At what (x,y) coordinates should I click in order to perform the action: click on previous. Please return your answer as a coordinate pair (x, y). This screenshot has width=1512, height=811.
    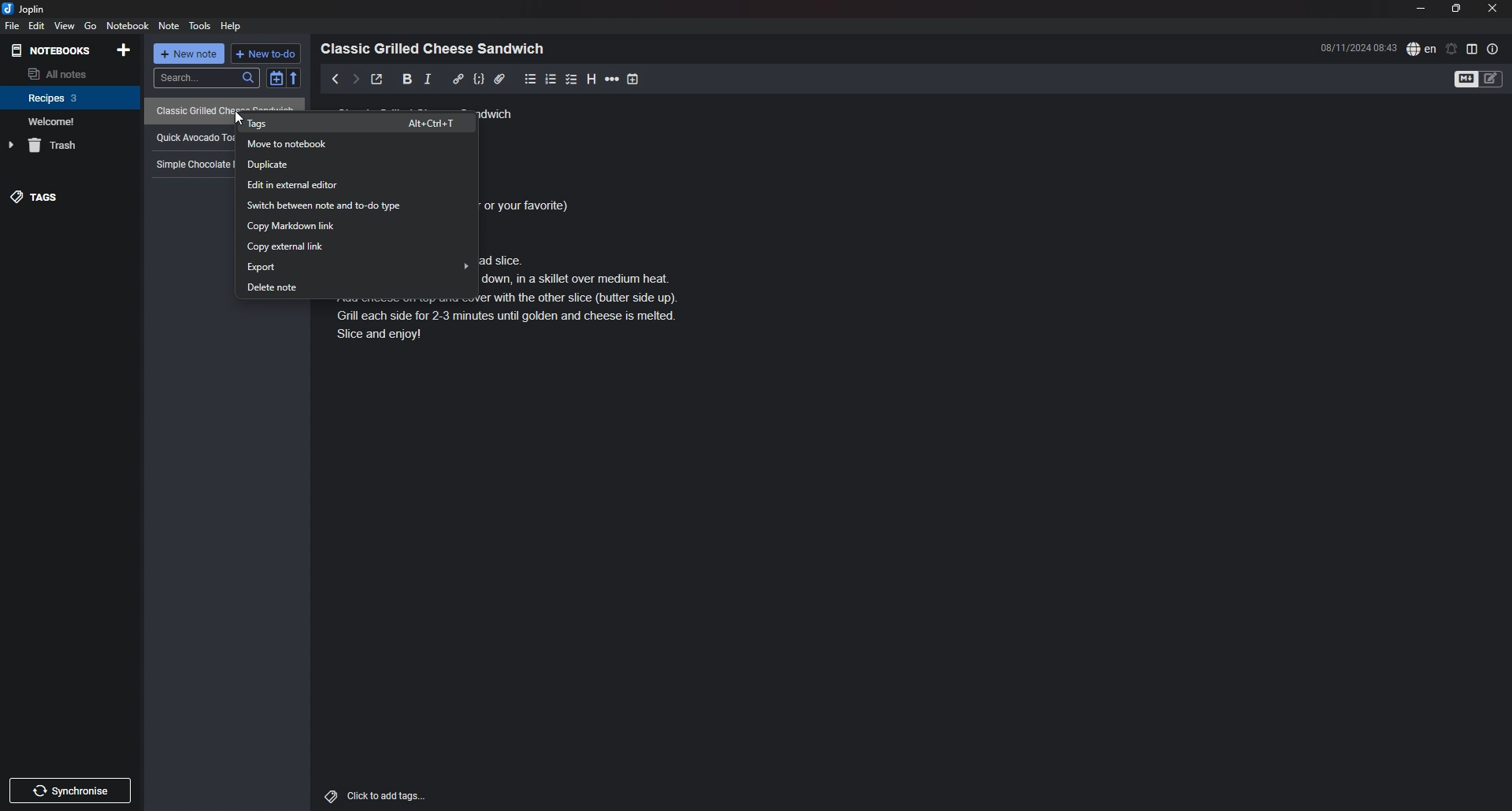
    Looking at the image, I should click on (335, 79).